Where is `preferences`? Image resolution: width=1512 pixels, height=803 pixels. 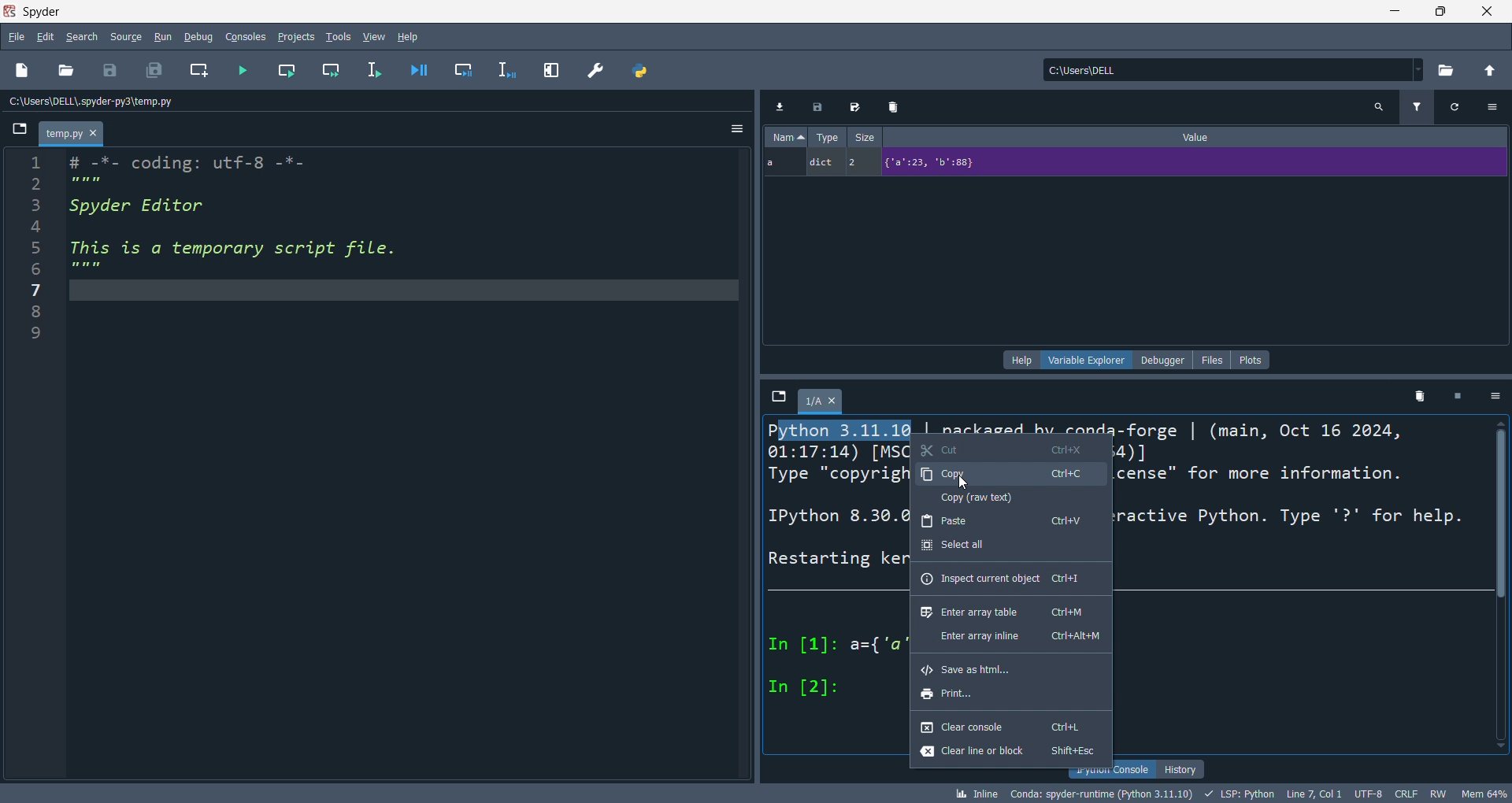
preferences is located at coordinates (598, 72).